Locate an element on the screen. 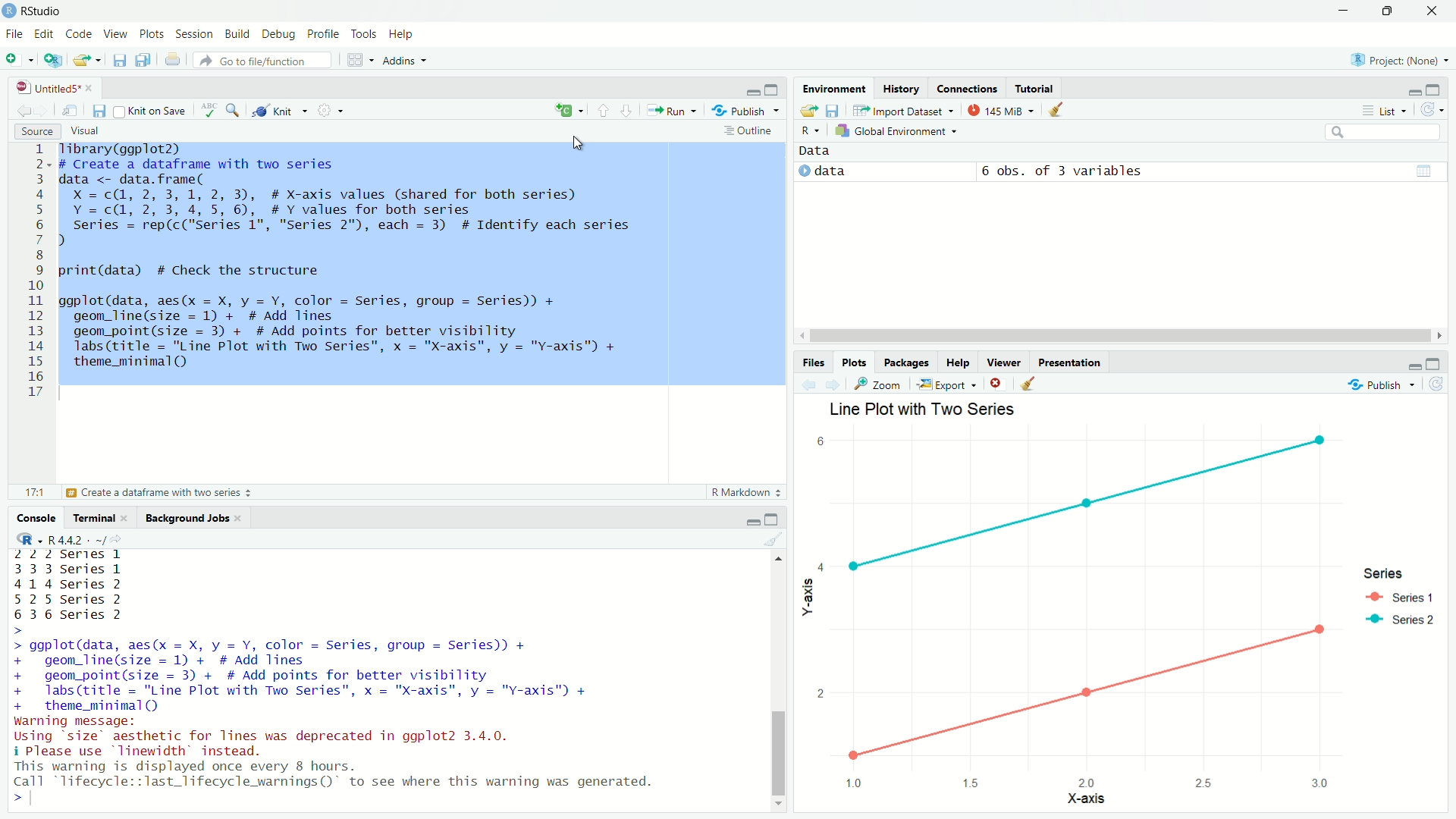  R 4.4.2 is located at coordinates (73, 539).